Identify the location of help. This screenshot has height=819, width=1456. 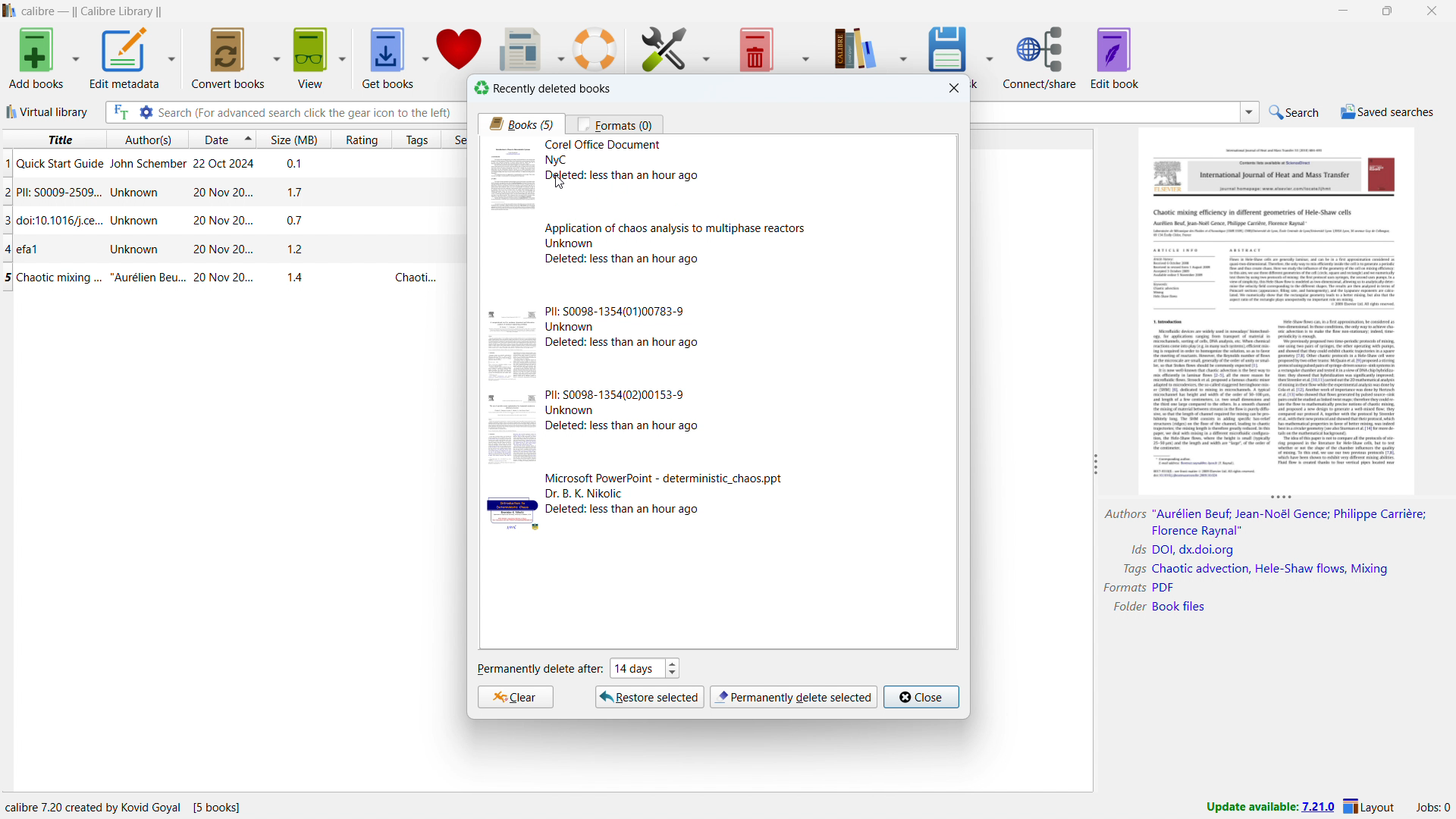
(595, 49).